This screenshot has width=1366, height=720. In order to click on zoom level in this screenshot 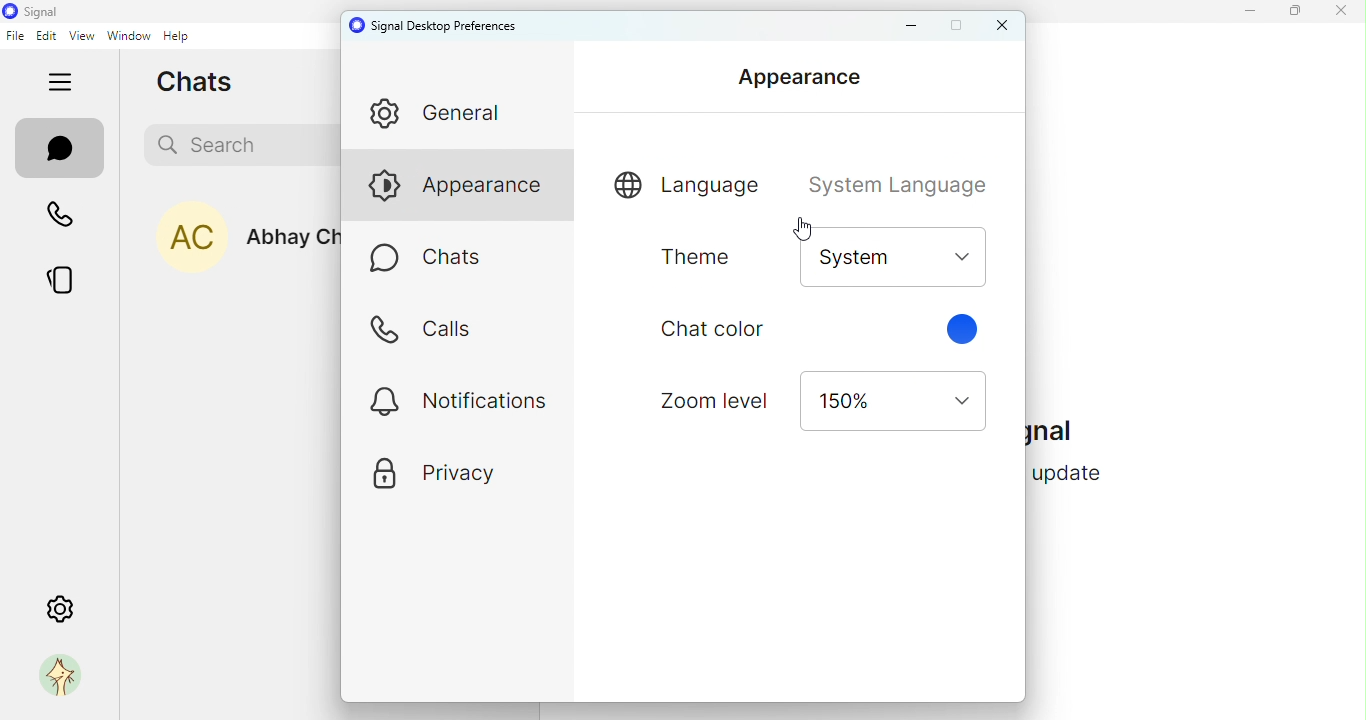, I will do `click(720, 407)`.